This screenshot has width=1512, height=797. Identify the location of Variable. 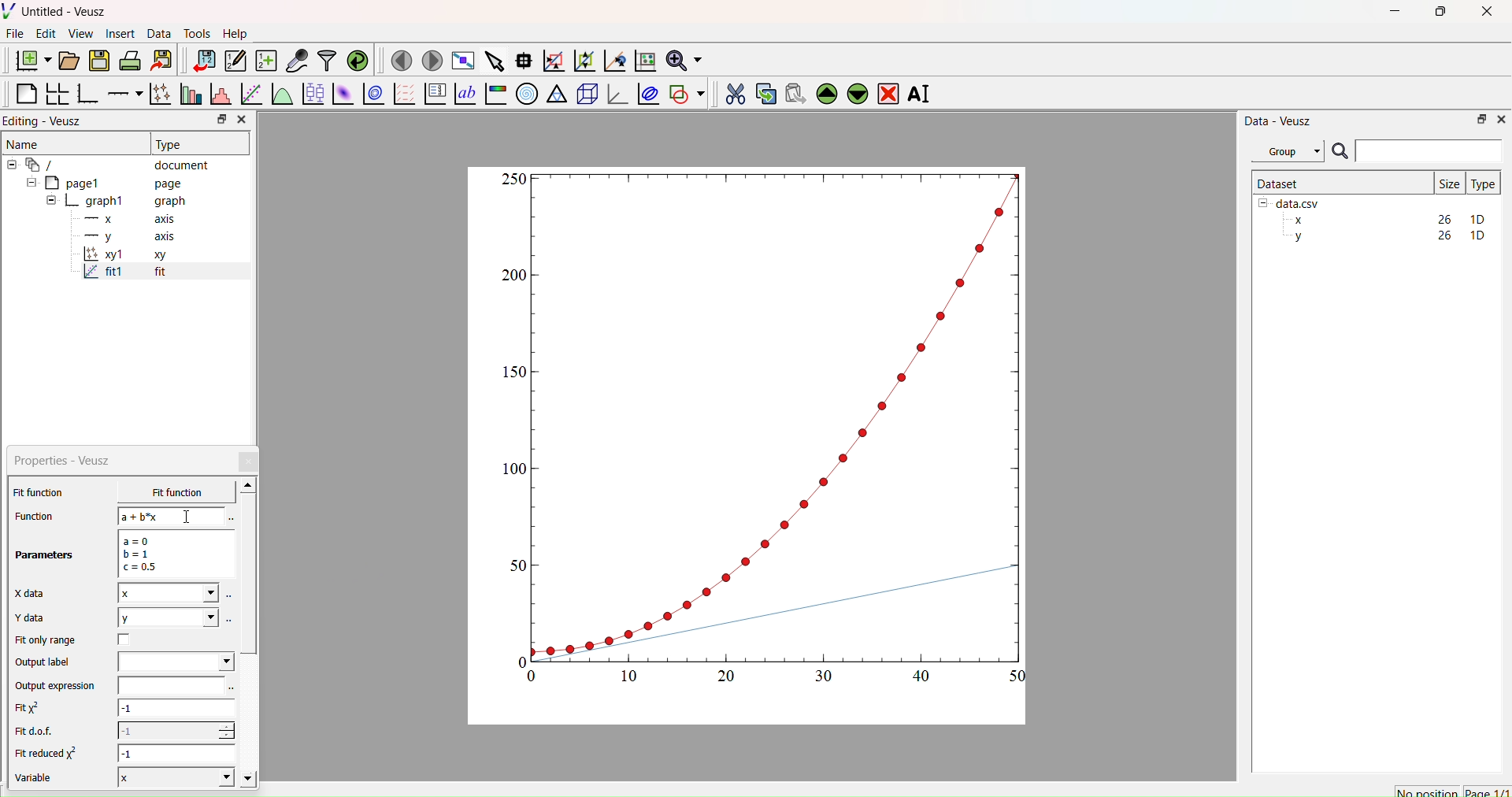
(41, 780).